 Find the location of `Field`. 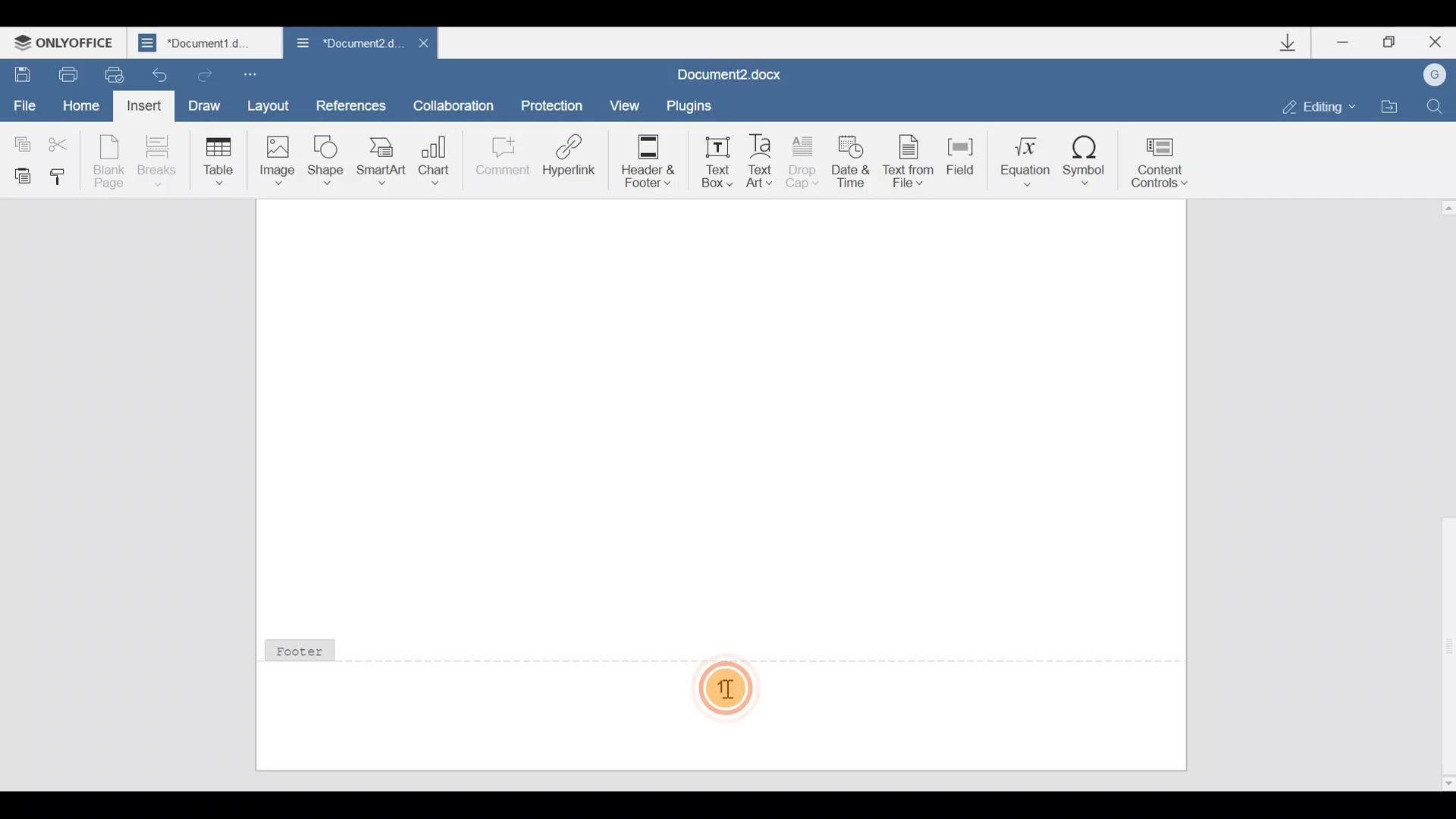

Field is located at coordinates (956, 162).